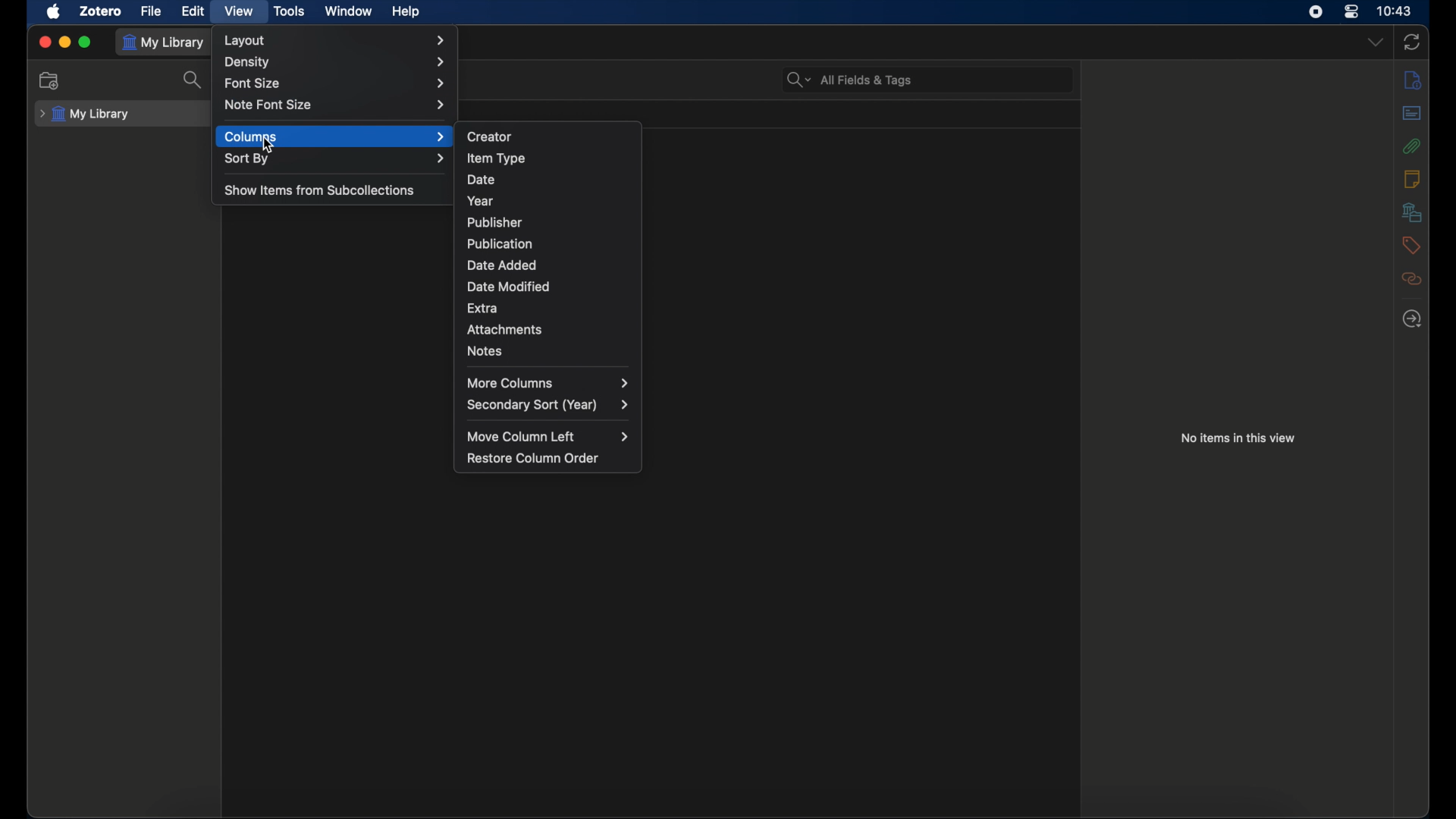 This screenshot has width=1456, height=819. Describe the element at coordinates (195, 12) in the screenshot. I see `edit` at that location.